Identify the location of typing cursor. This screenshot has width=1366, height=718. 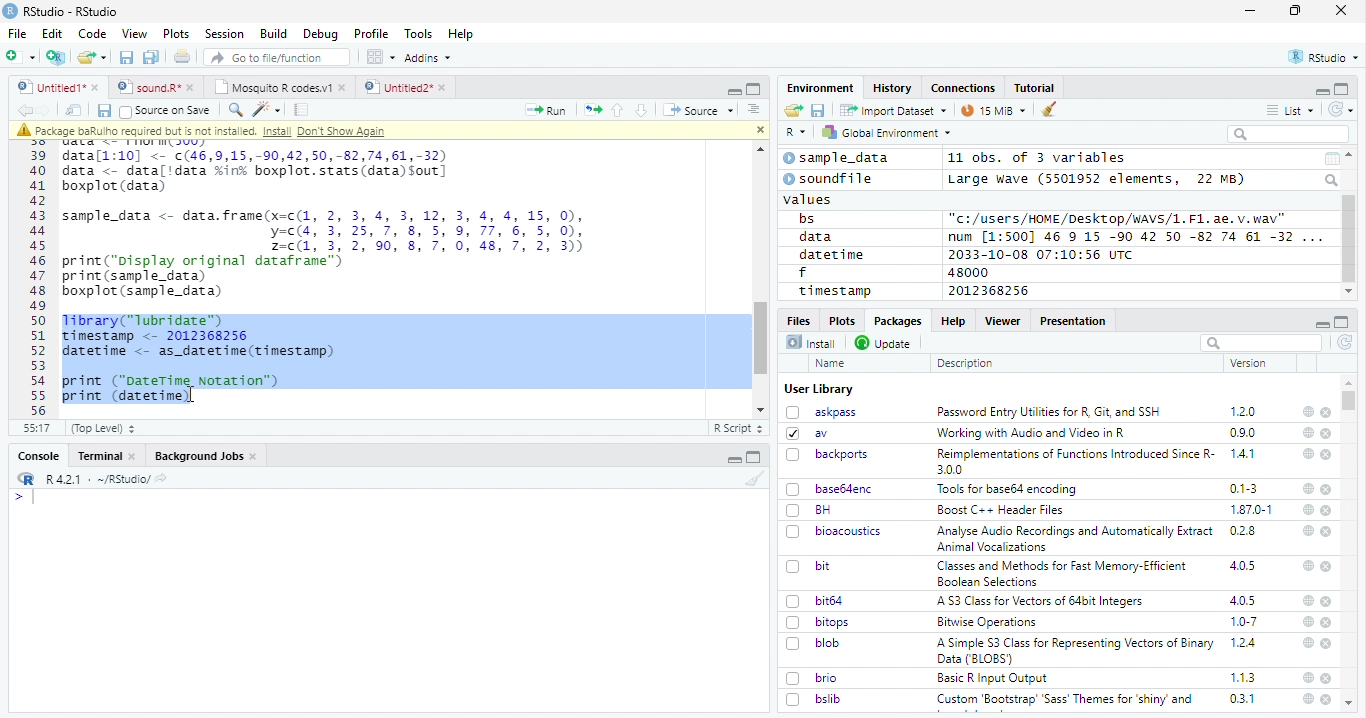
(24, 497).